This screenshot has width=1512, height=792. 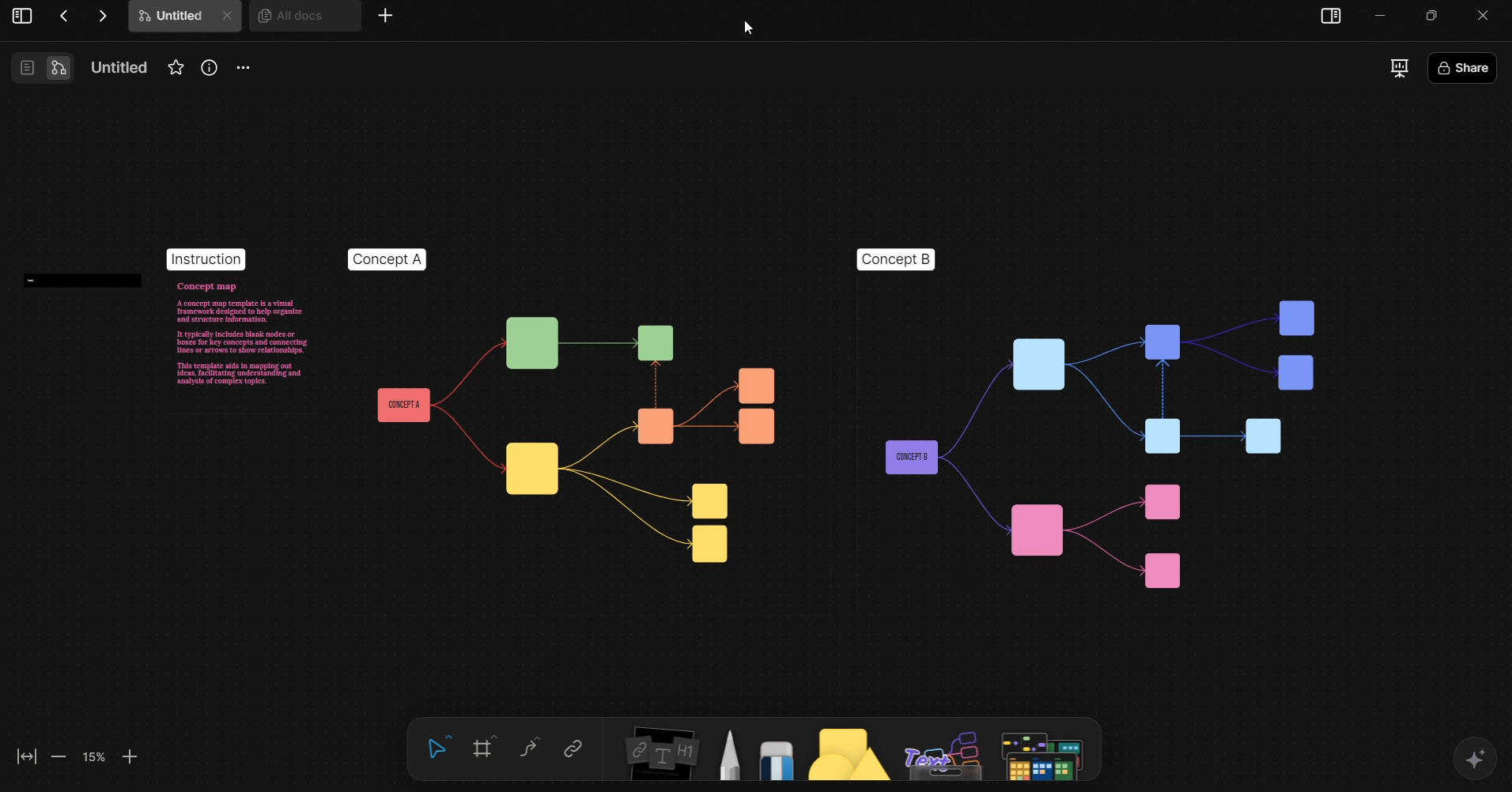 What do you see at coordinates (1498, 71) in the screenshot?
I see `Share` at bounding box center [1498, 71].